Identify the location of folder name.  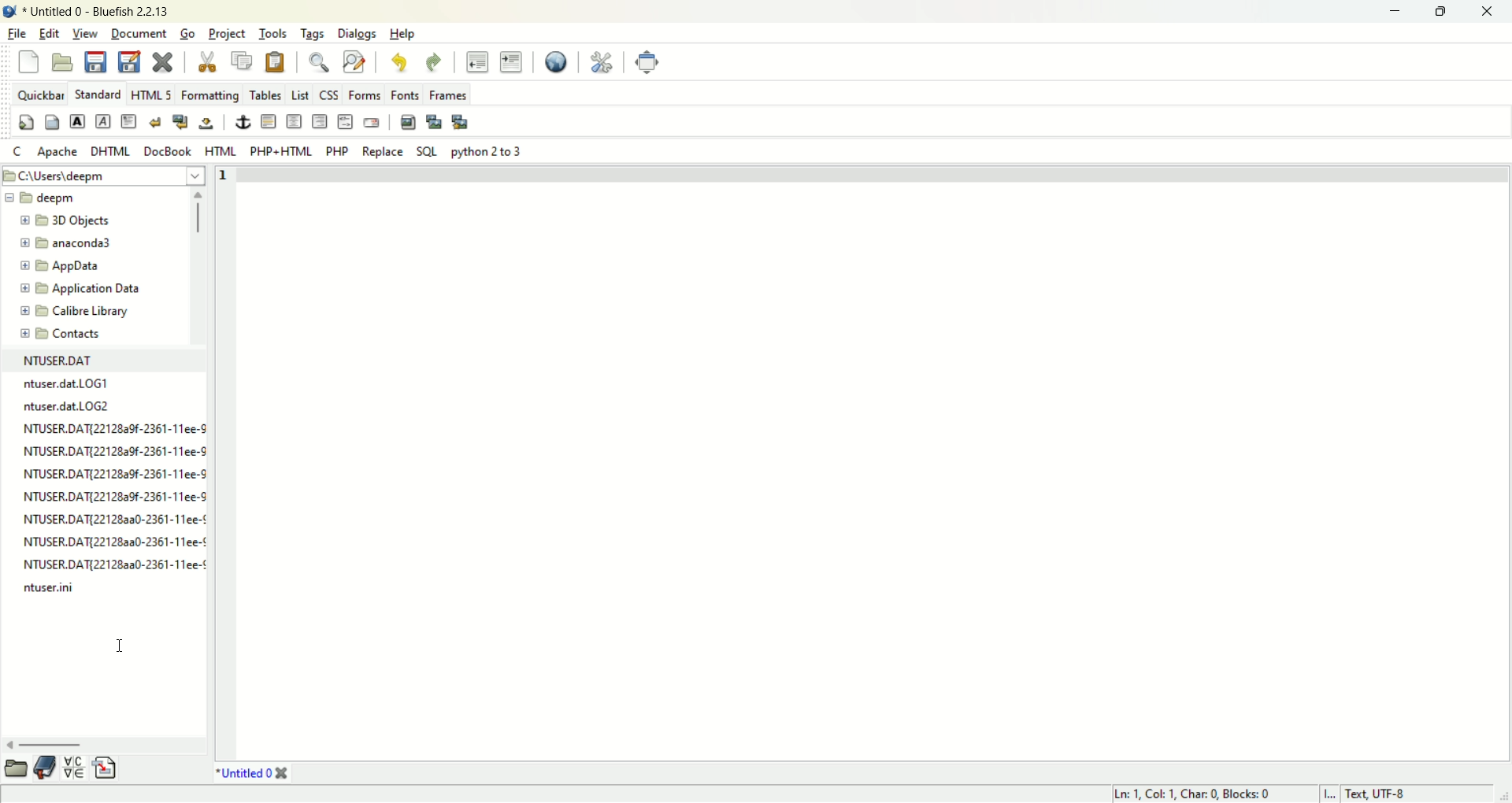
(86, 244).